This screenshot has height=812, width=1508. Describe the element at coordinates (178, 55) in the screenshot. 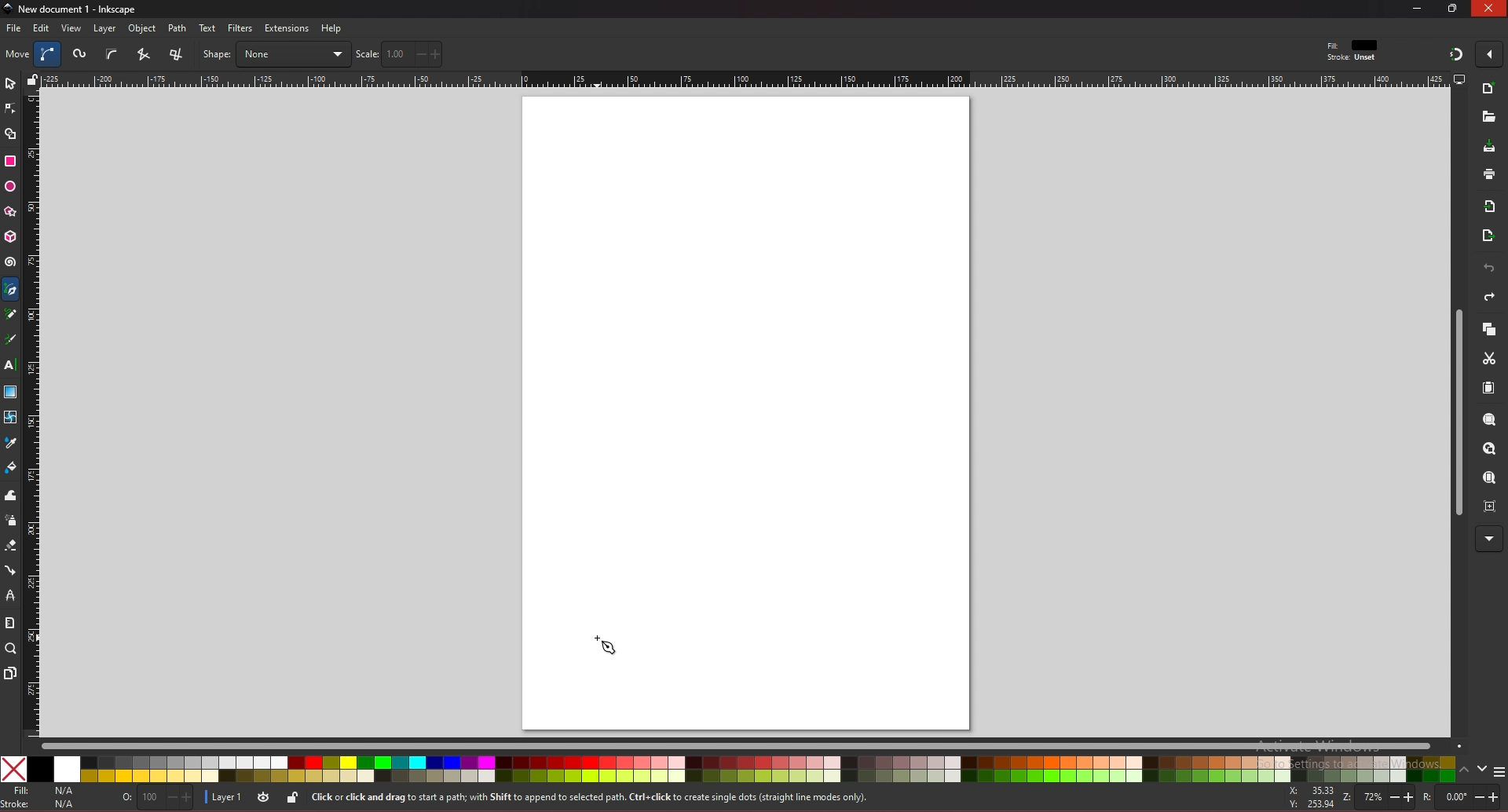

I see `sequence of paraxial line segments` at that location.